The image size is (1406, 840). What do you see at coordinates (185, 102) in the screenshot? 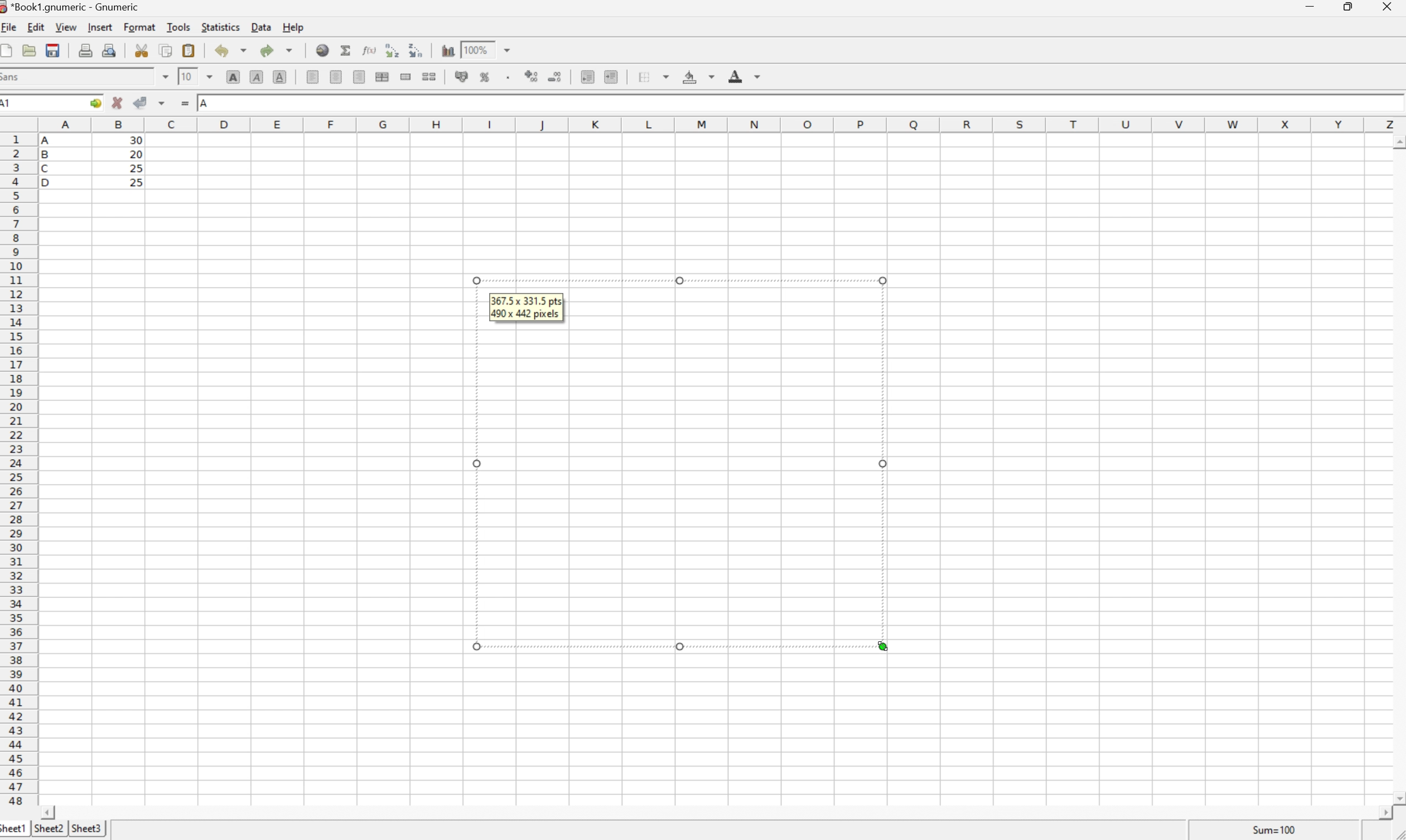
I see `Enter formula` at bounding box center [185, 102].